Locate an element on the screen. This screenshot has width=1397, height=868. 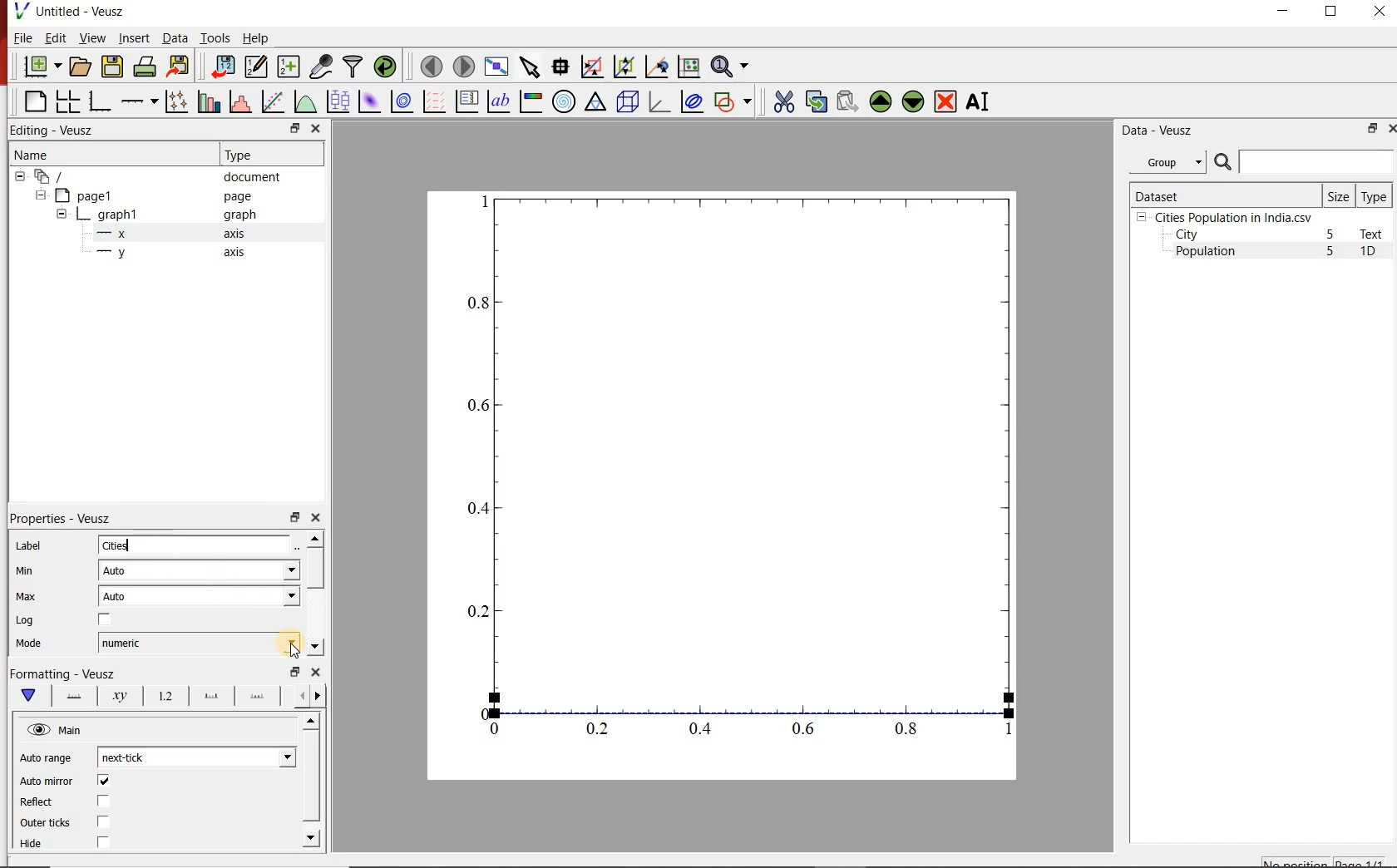
scrollbar is located at coordinates (313, 782).